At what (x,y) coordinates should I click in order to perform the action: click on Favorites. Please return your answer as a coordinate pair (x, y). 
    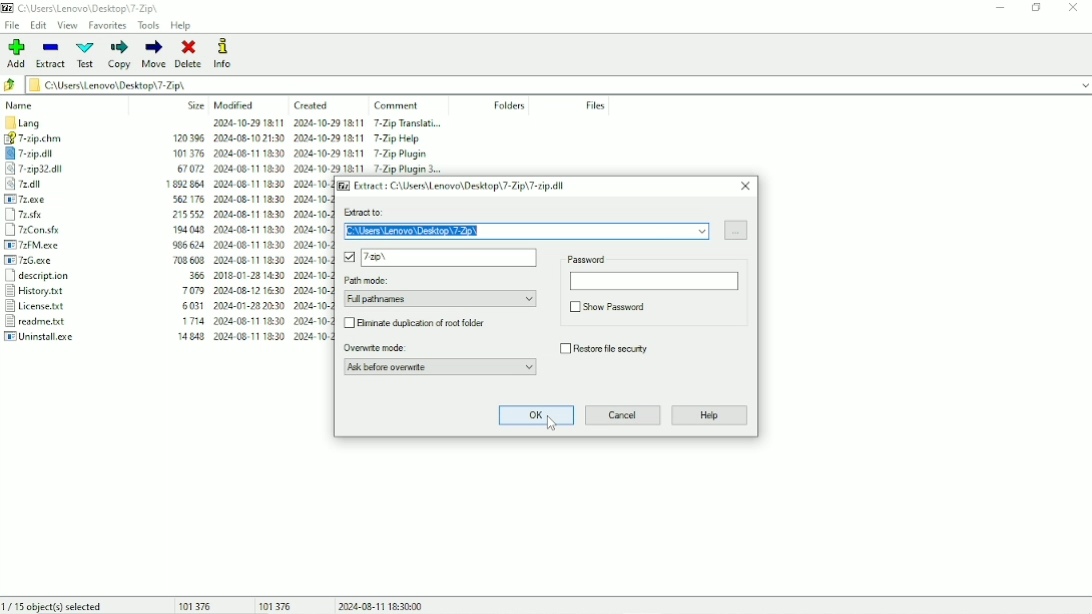
    Looking at the image, I should click on (107, 25).